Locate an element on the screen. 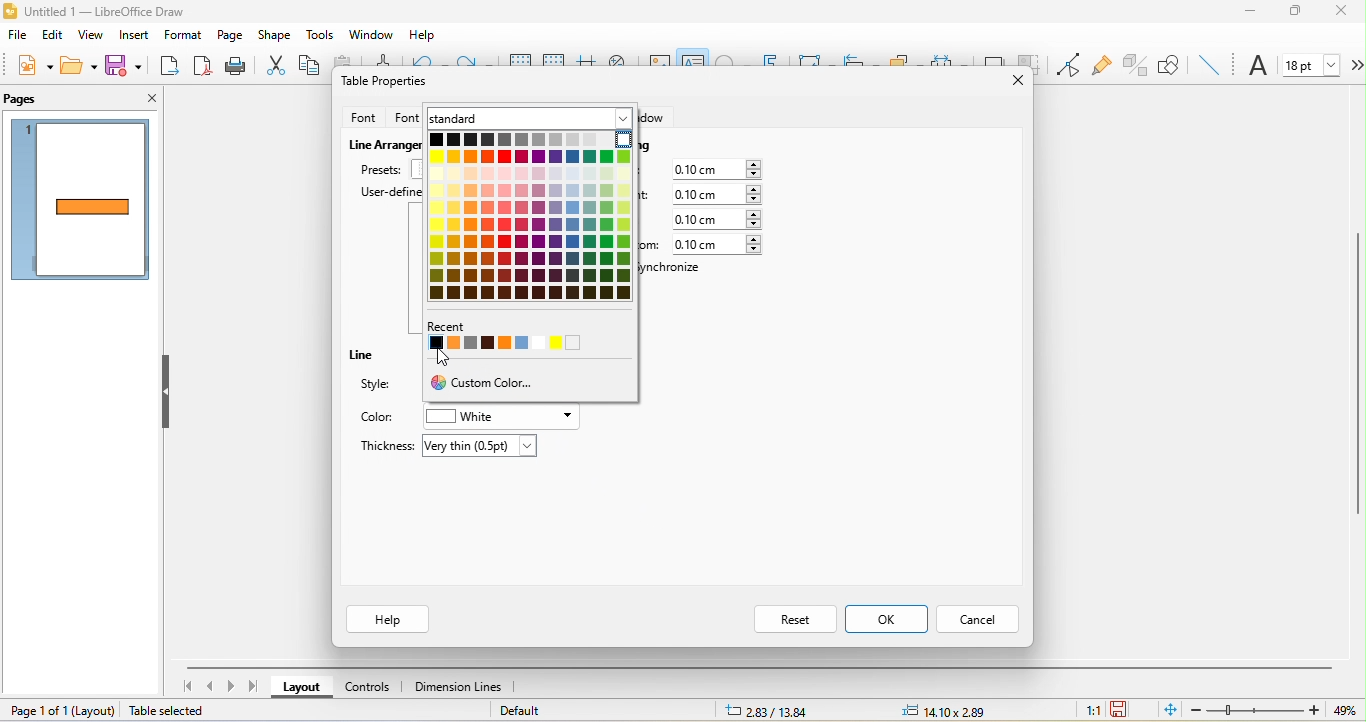  show draw function is located at coordinates (1171, 64).